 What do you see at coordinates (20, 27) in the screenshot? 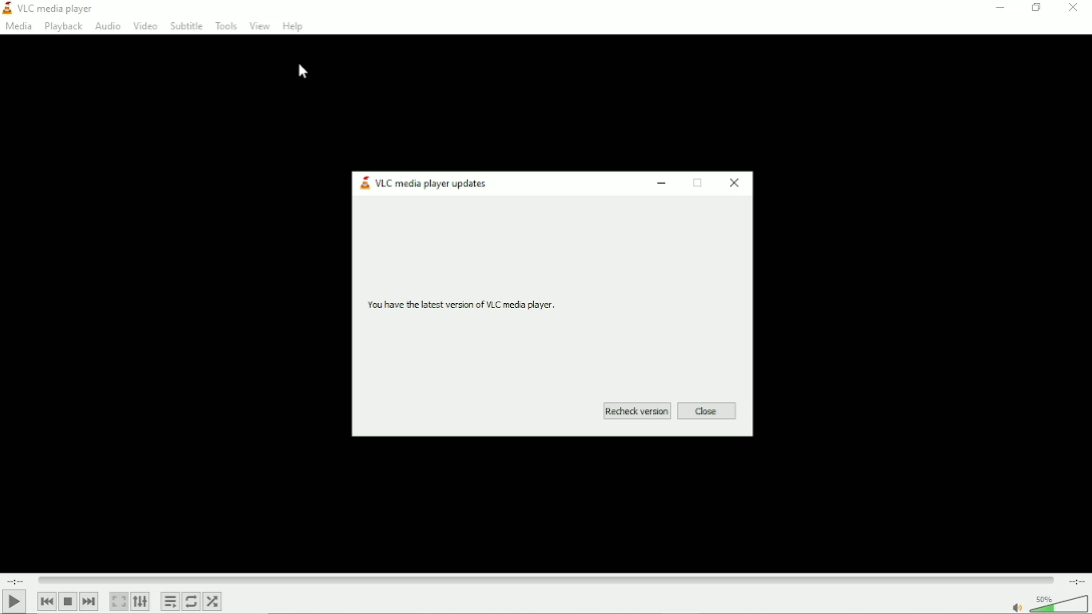
I see `Media` at bounding box center [20, 27].